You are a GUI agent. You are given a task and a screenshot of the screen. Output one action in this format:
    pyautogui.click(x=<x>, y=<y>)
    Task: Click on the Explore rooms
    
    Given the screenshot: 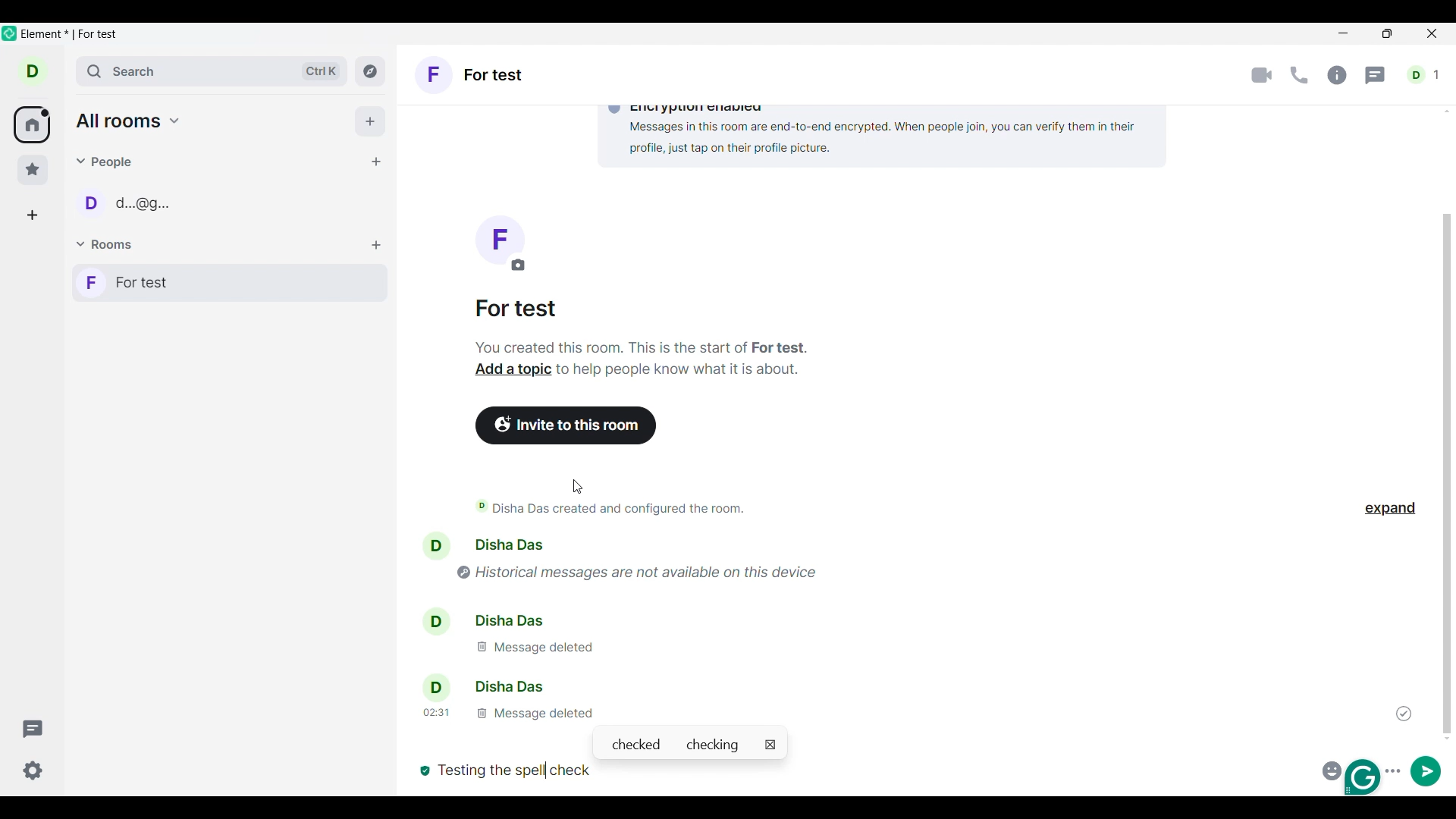 What is the action you would take?
    pyautogui.click(x=370, y=71)
    